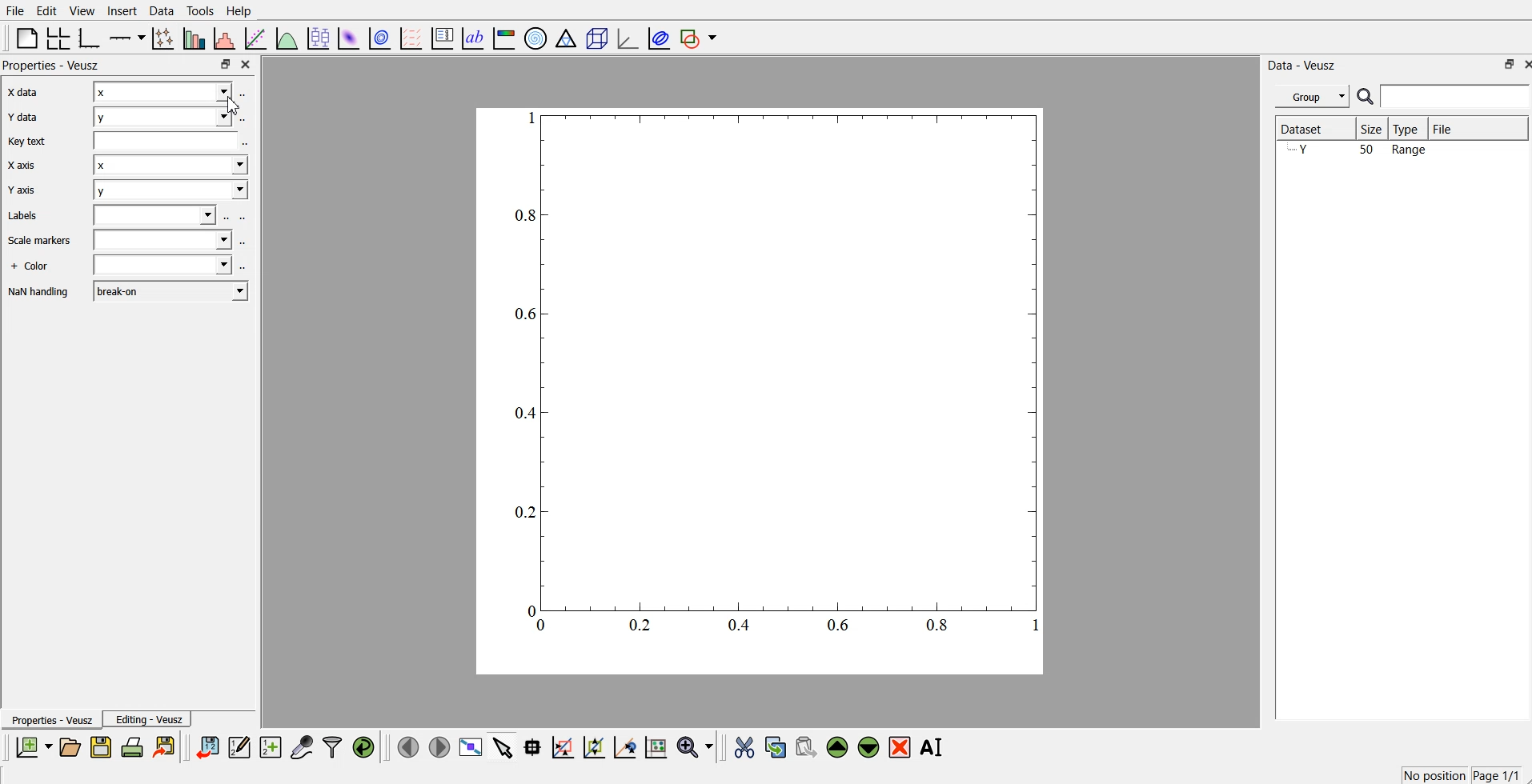  I want to click on Y axis, so click(28, 190).